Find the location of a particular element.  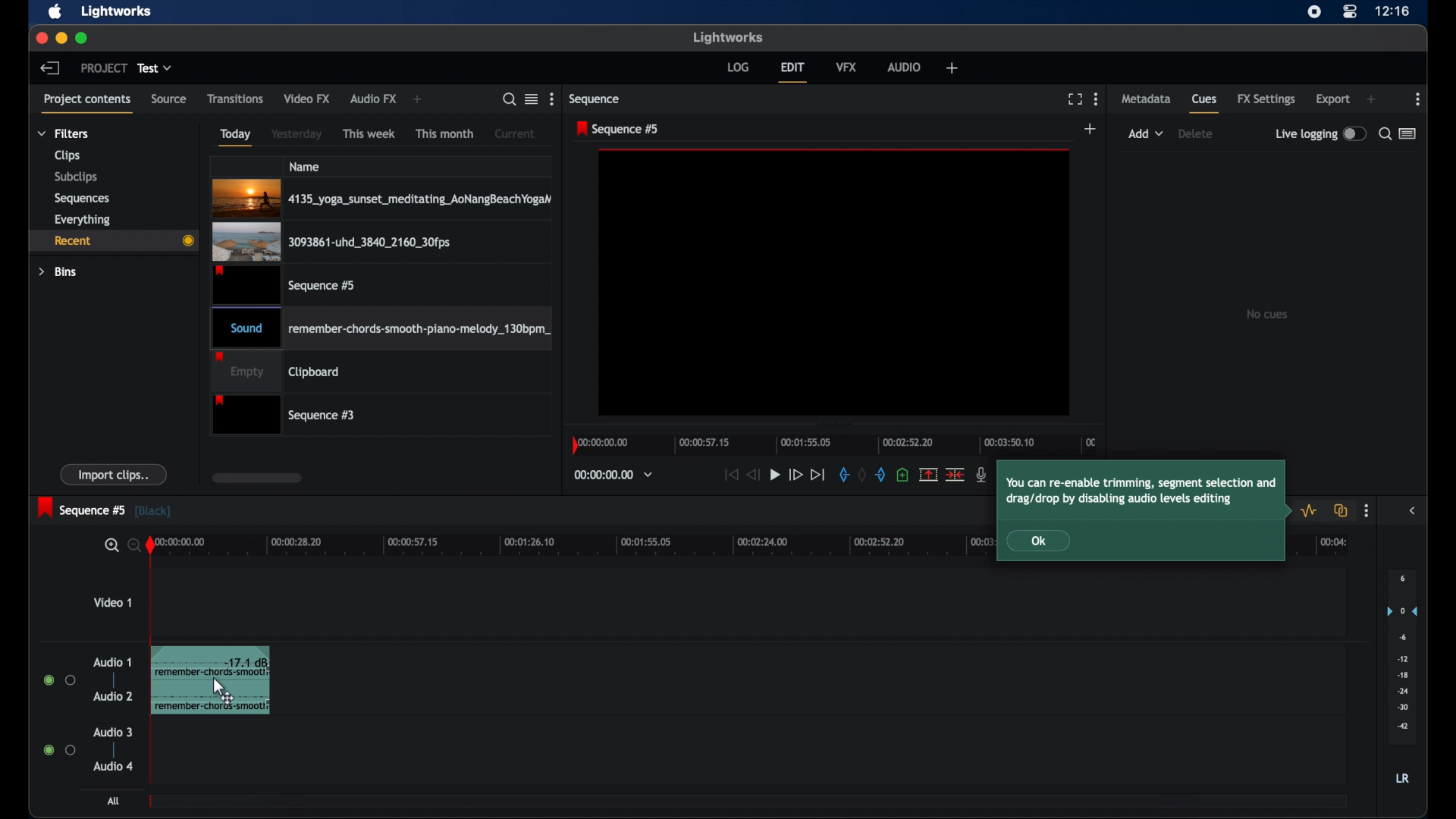

fast forward is located at coordinates (795, 475).